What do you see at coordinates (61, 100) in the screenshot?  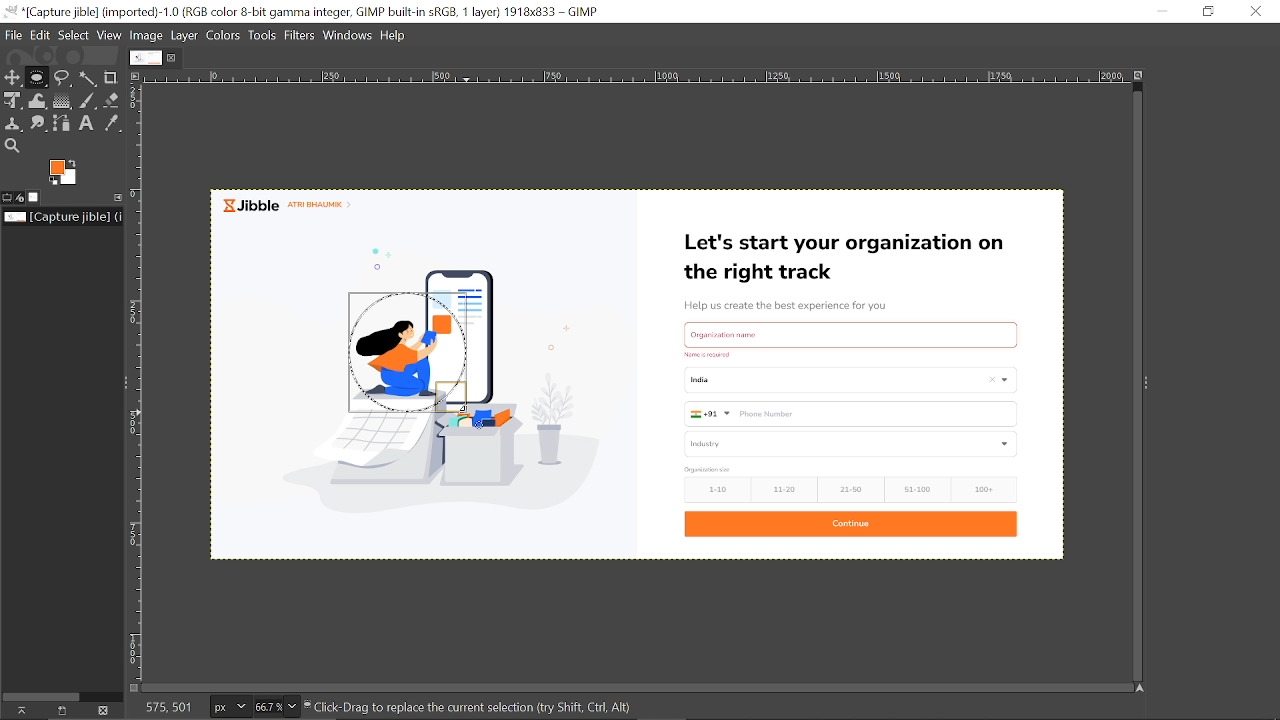 I see `gradiaent tool` at bounding box center [61, 100].